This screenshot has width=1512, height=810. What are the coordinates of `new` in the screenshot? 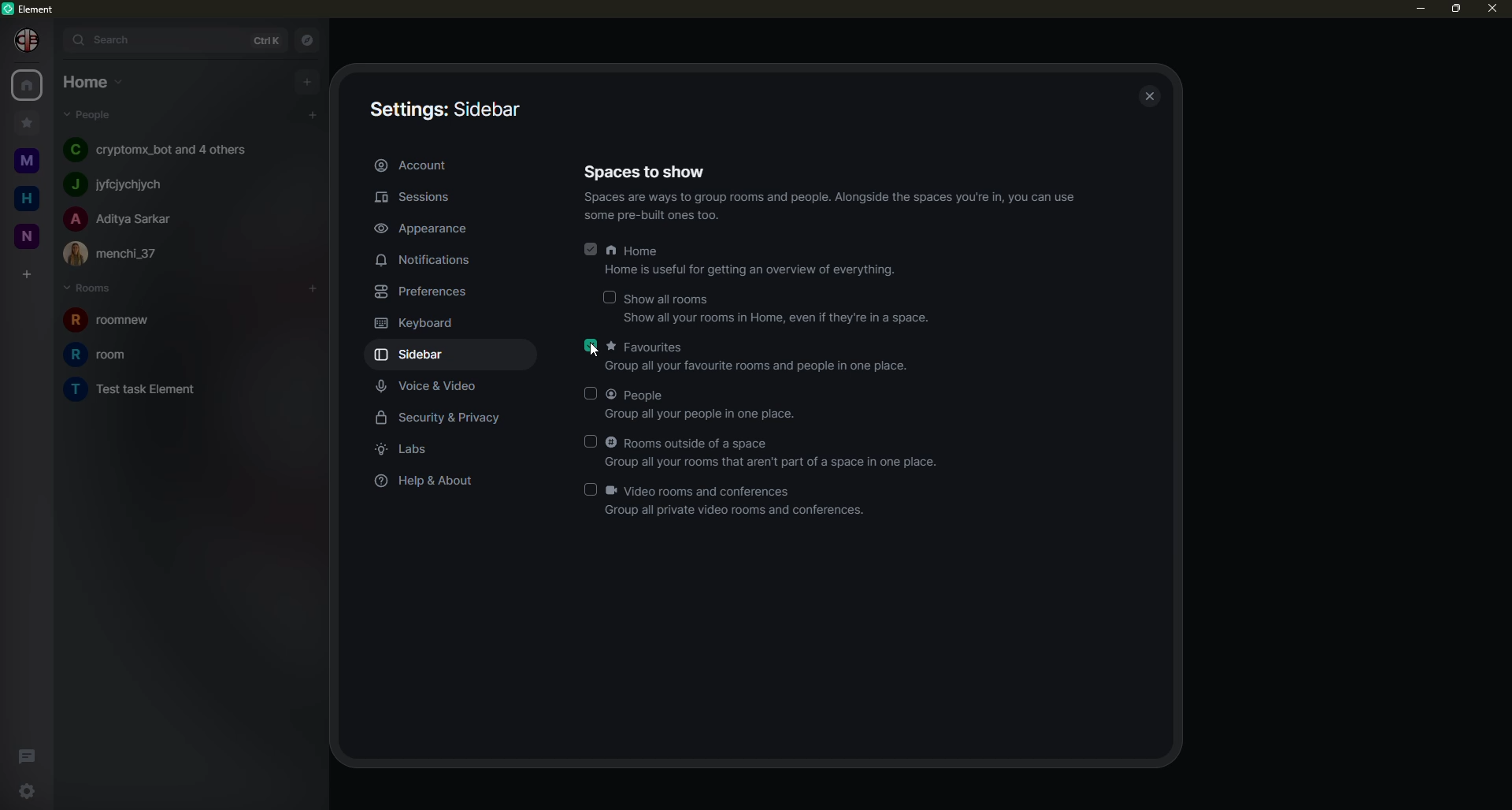 It's located at (27, 240).